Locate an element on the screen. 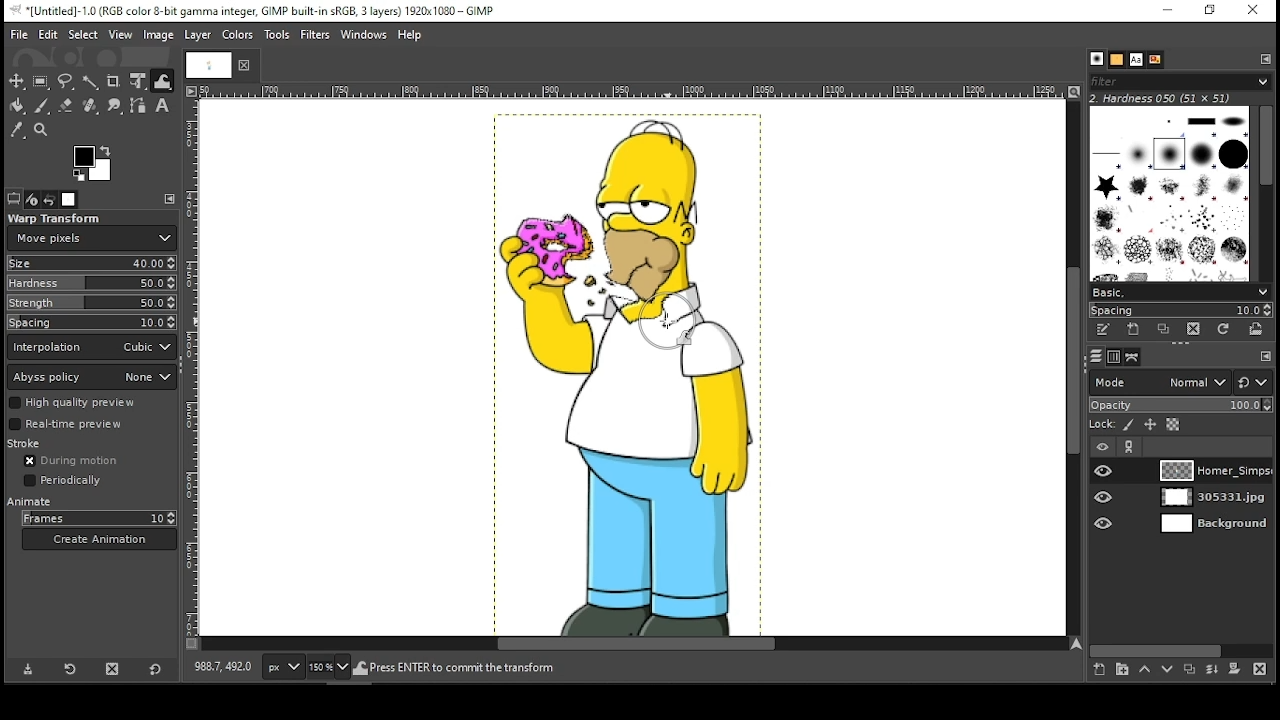  image is located at coordinates (629, 376).